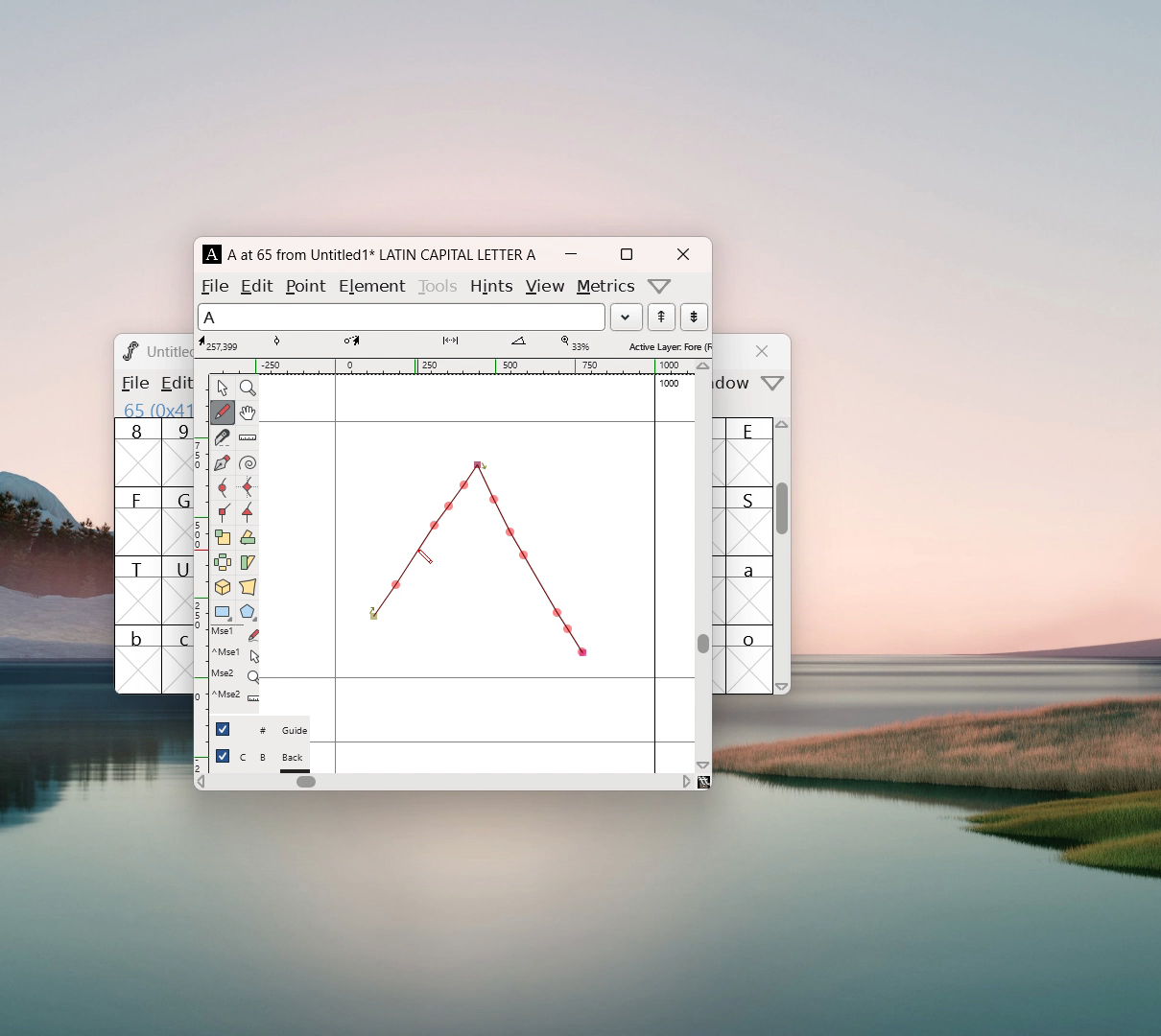  I want to click on add a tangent point, so click(247, 512).